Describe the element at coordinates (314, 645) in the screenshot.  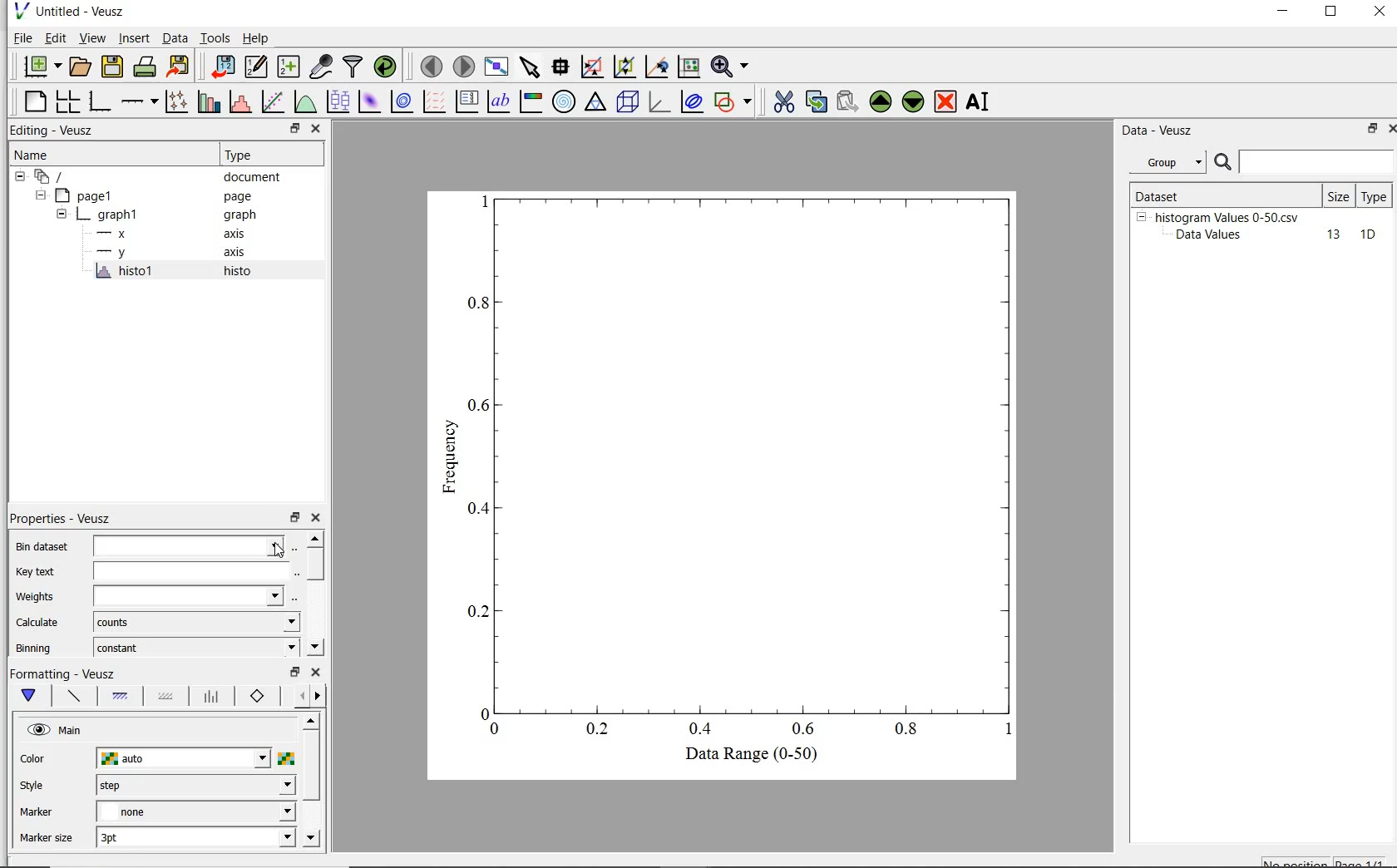
I see `move down` at that location.